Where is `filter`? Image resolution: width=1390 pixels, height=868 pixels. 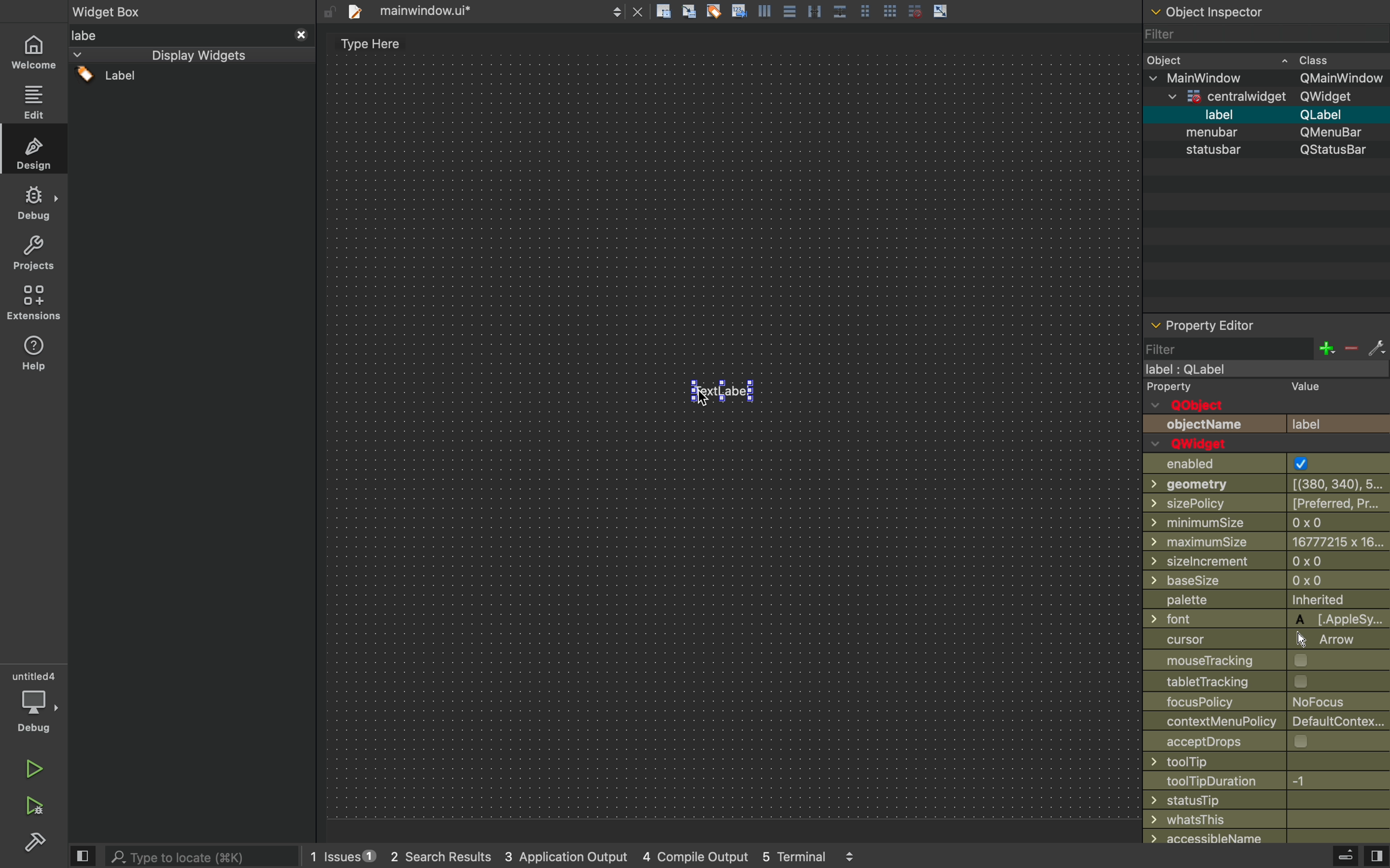 filter is located at coordinates (1267, 349).